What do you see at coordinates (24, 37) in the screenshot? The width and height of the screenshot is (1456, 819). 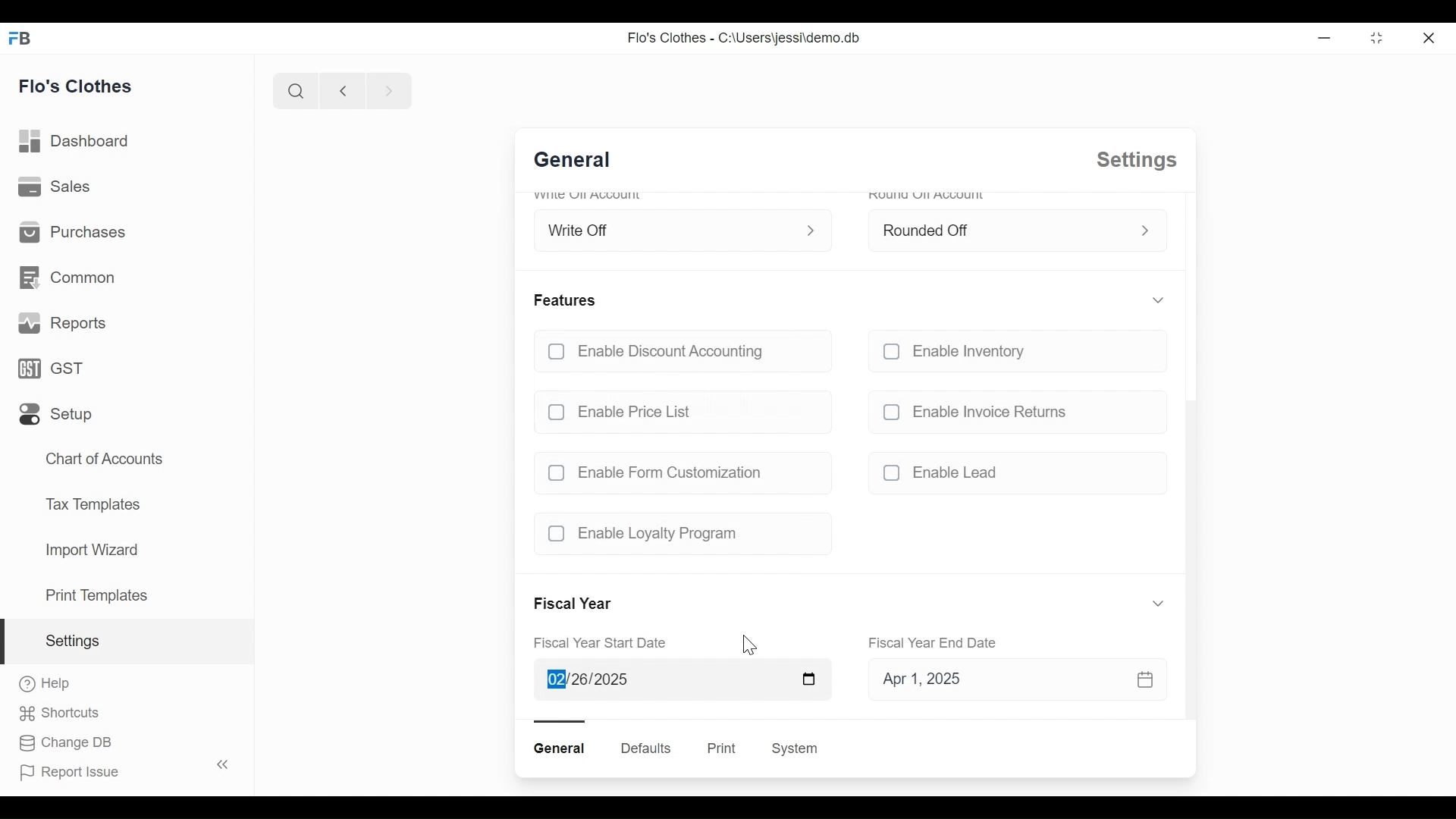 I see `Frappe Books Desktop icon` at bounding box center [24, 37].